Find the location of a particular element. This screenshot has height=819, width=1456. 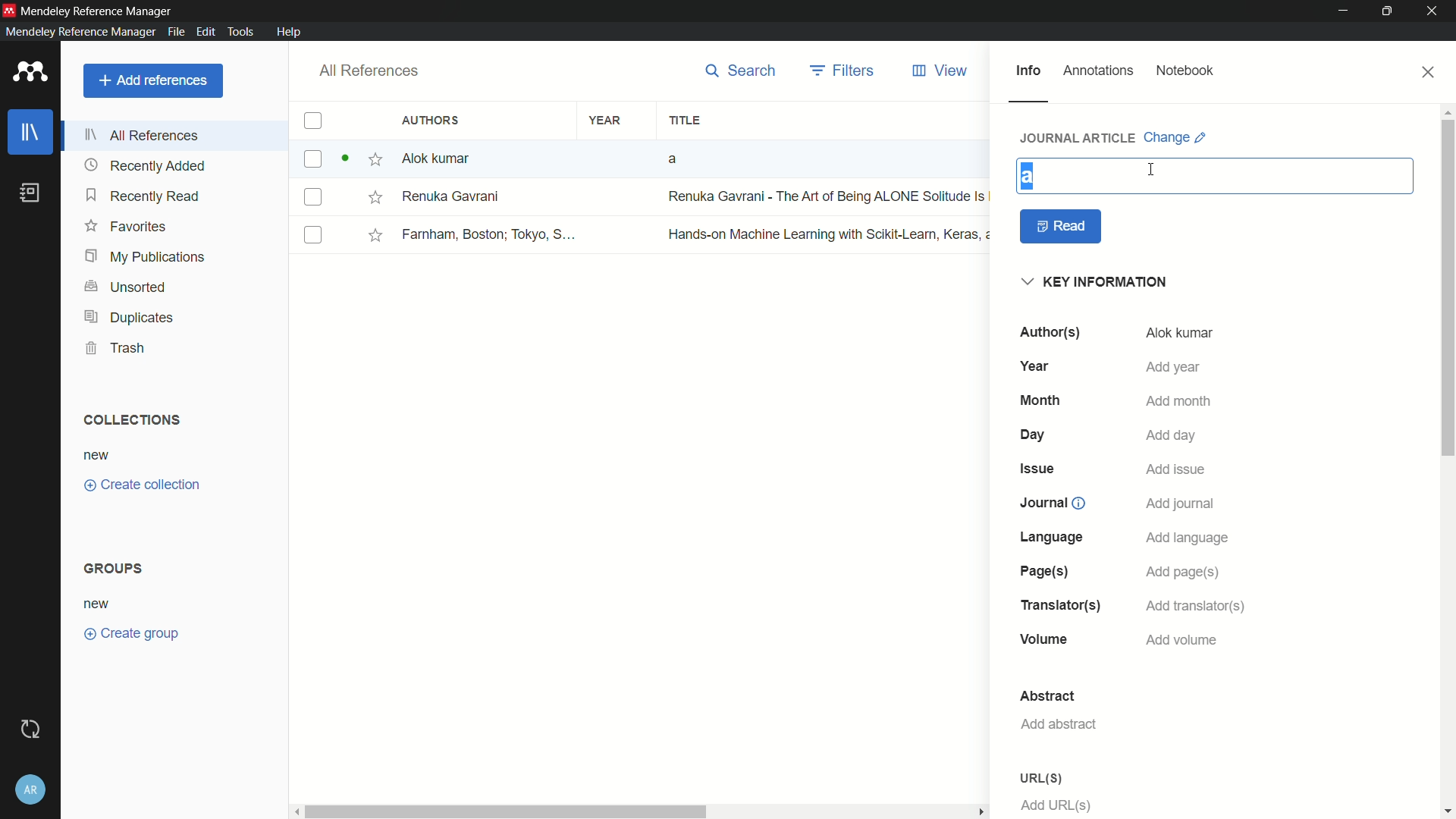

book-1 is located at coordinates (541, 158).